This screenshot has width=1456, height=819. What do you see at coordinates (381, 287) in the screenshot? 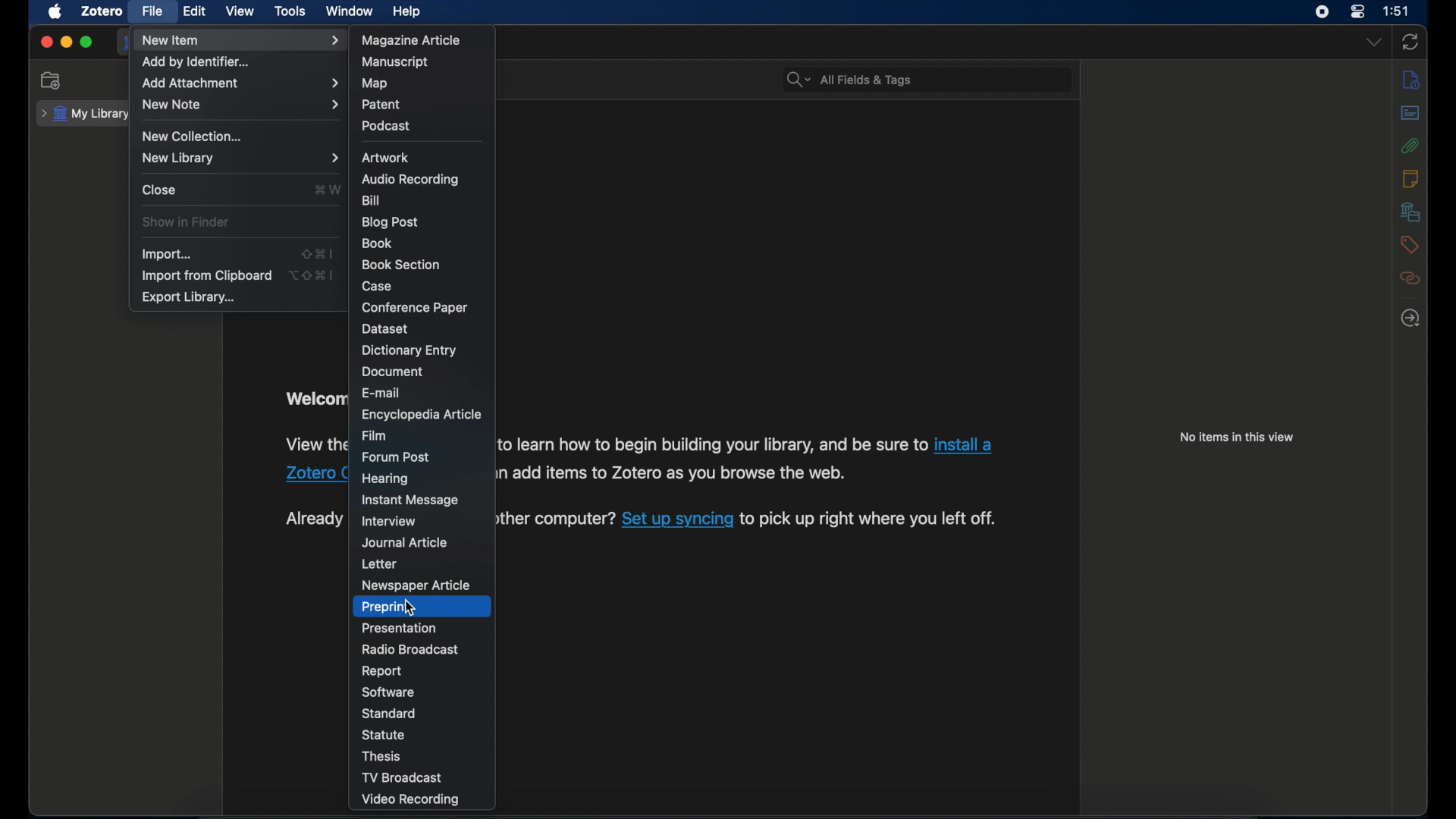
I see `case` at bounding box center [381, 287].